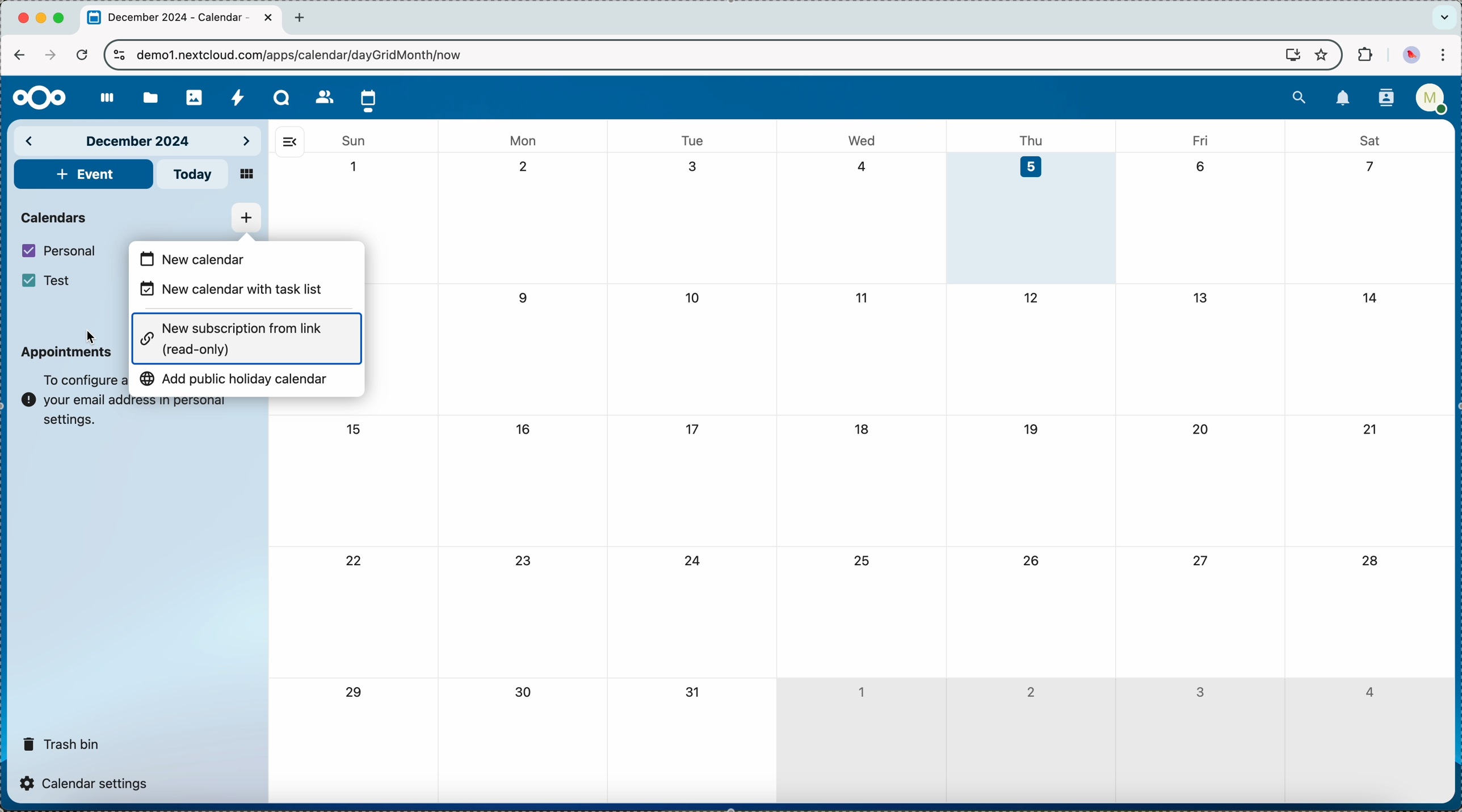  What do you see at coordinates (1032, 298) in the screenshot?
I see `12` at bounding box center [1032, 298].